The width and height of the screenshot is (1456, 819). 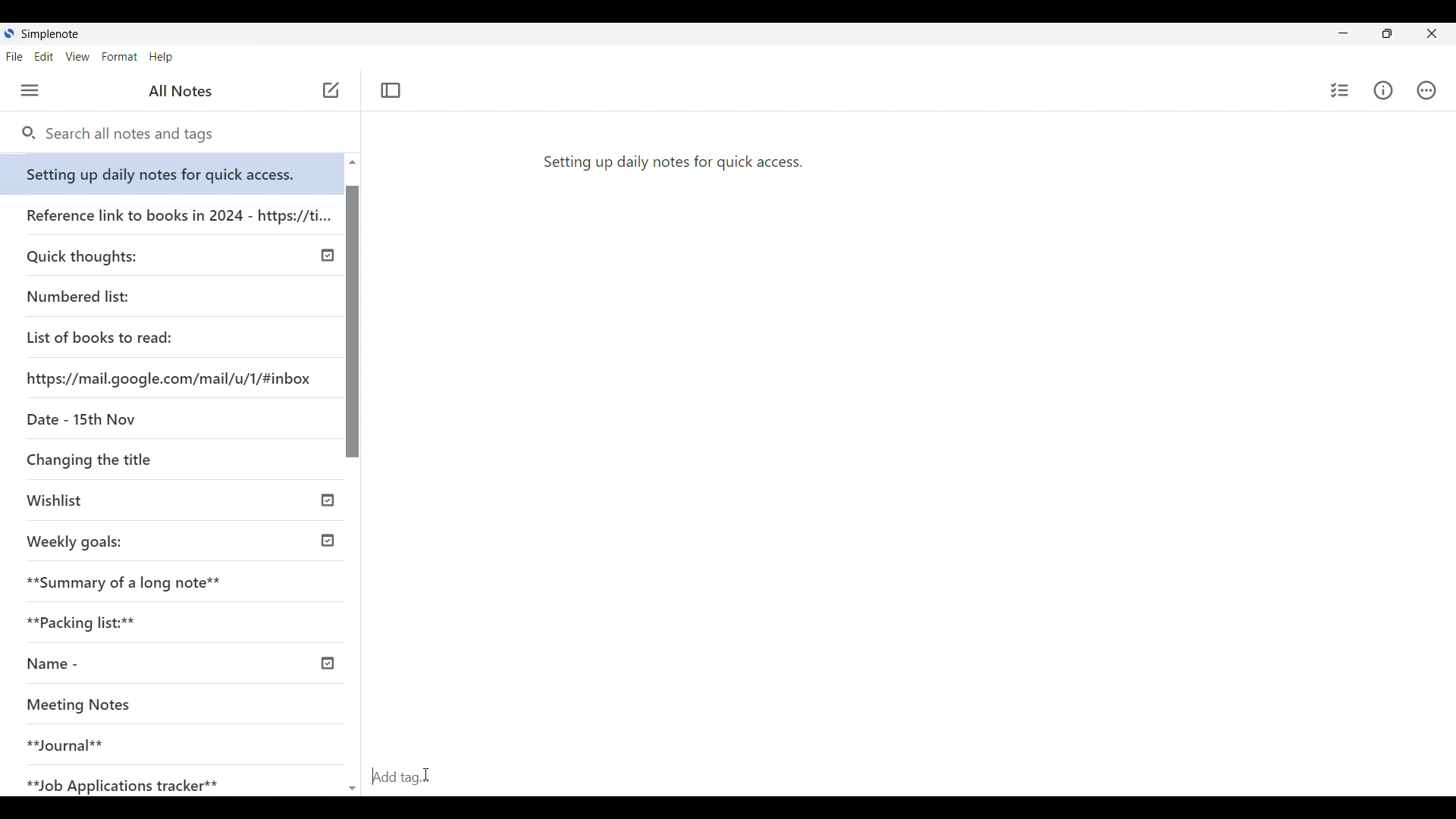 I want to click on Insert checklist, so click(x=1339, y=90).